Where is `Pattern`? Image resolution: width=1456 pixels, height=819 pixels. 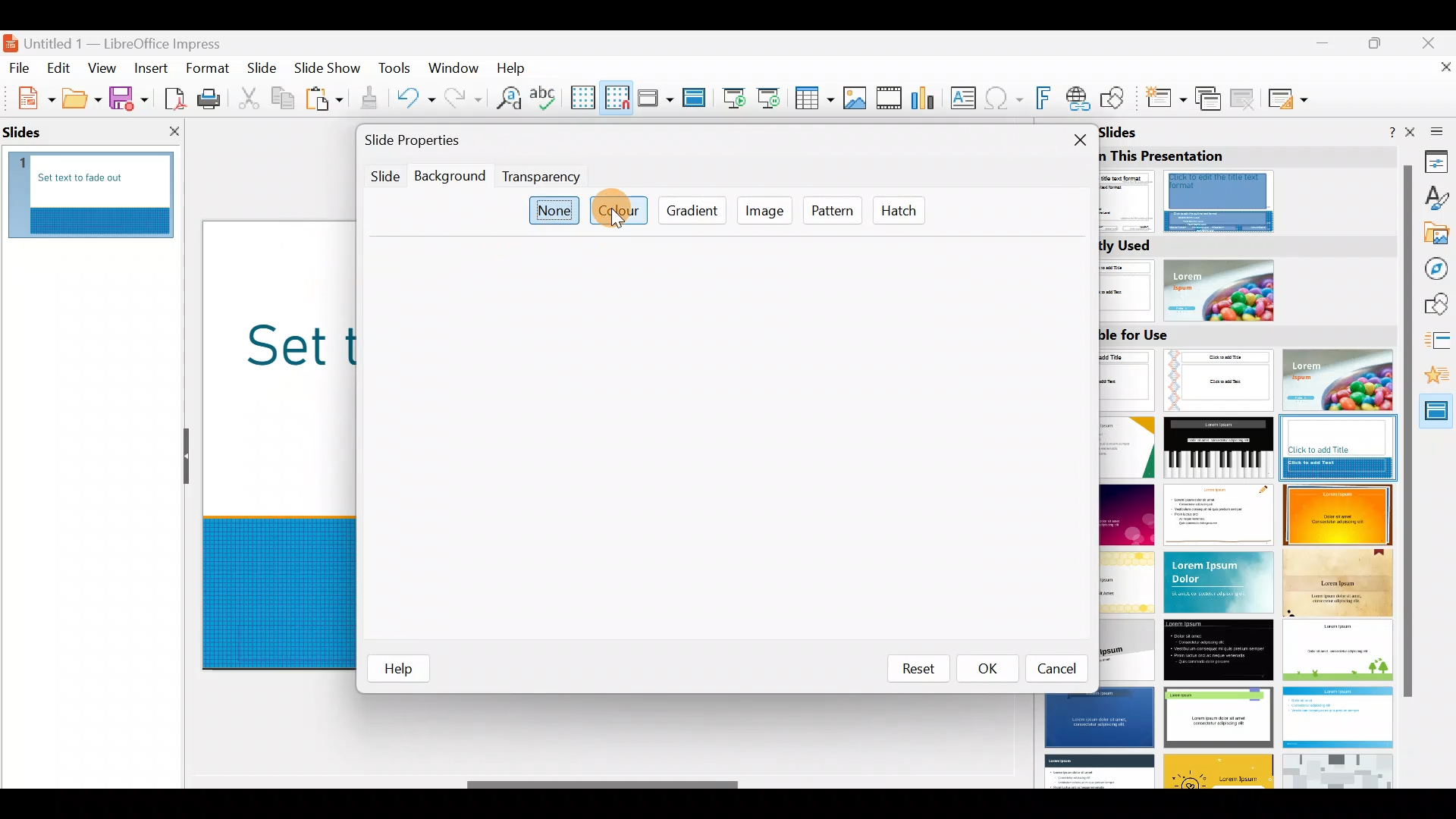
Pattern is located at coordinates (836, 213).